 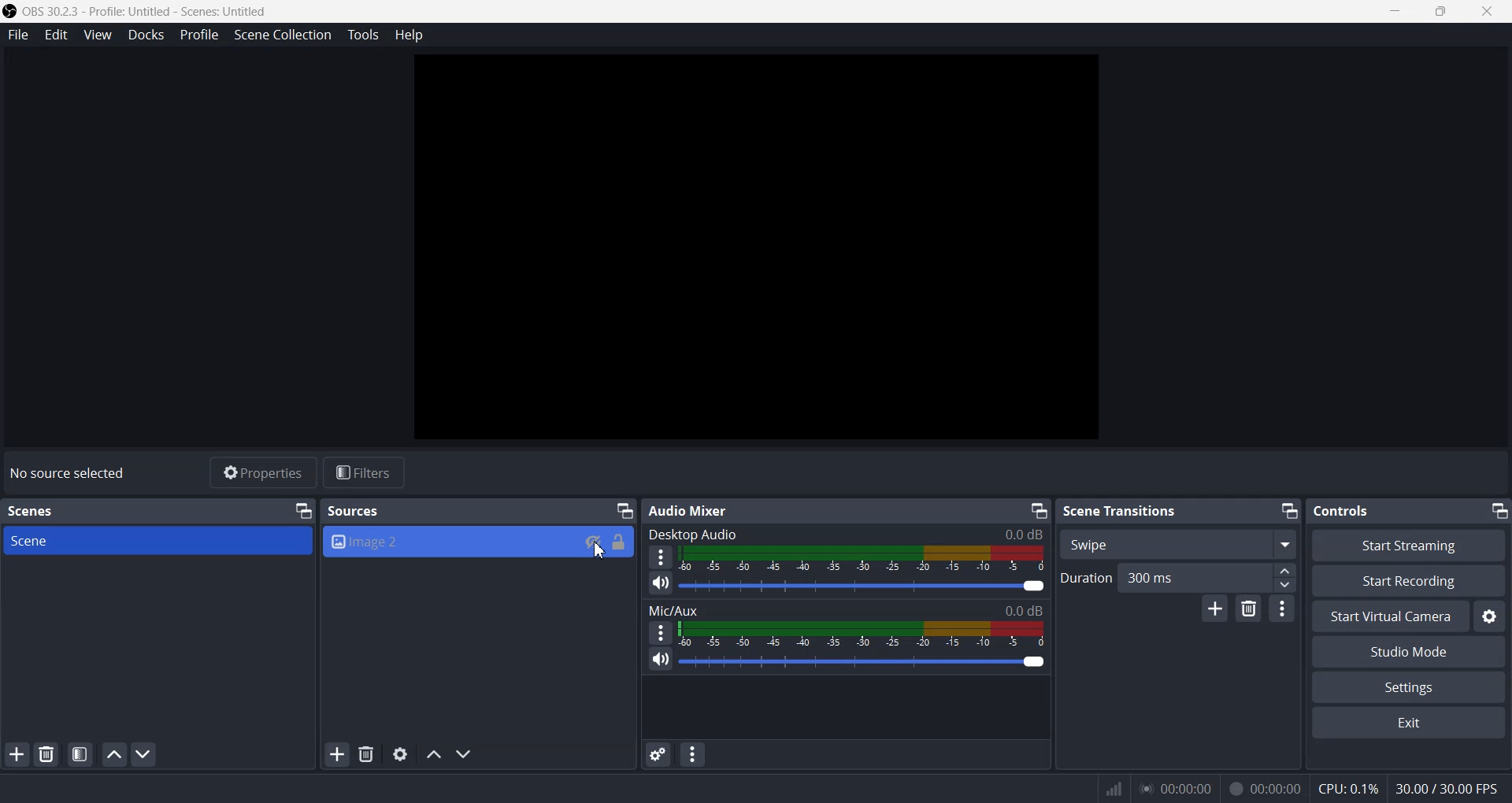 What do you see at coordinates (358, 511) in the screenshot?
I see `Sources` at bounding box center [358, 511].